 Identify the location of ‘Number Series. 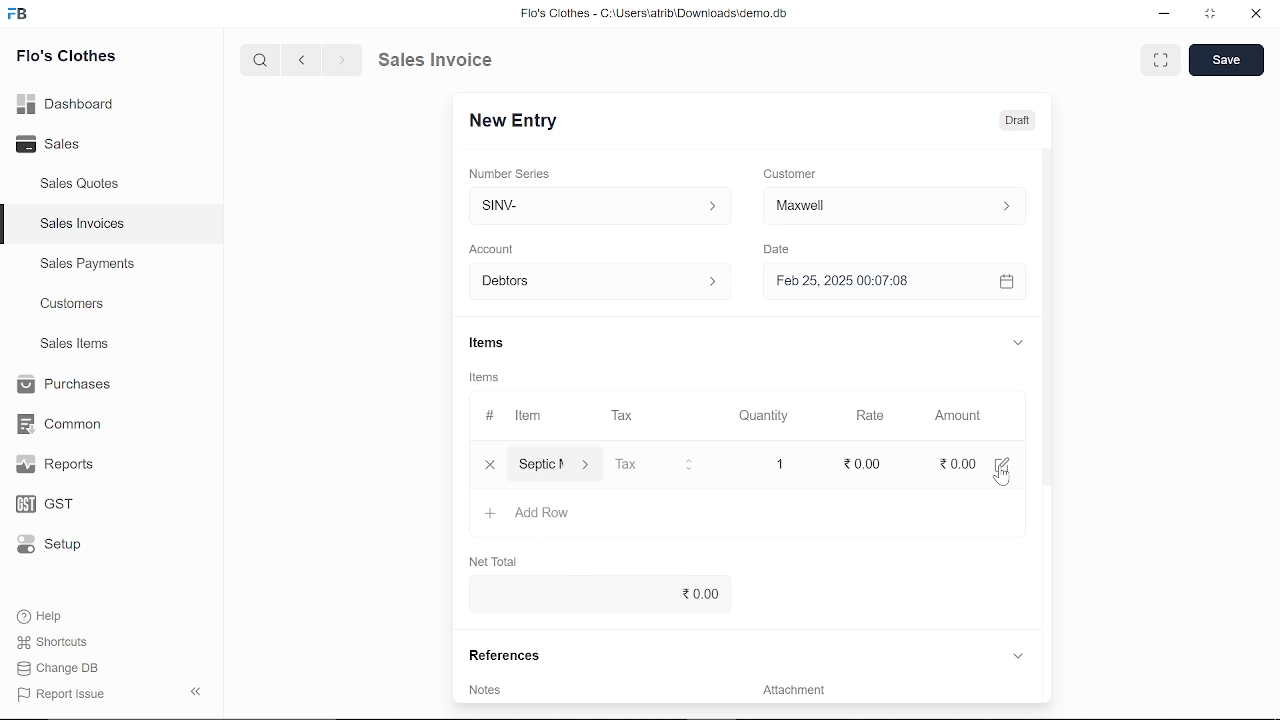
(510, 173).